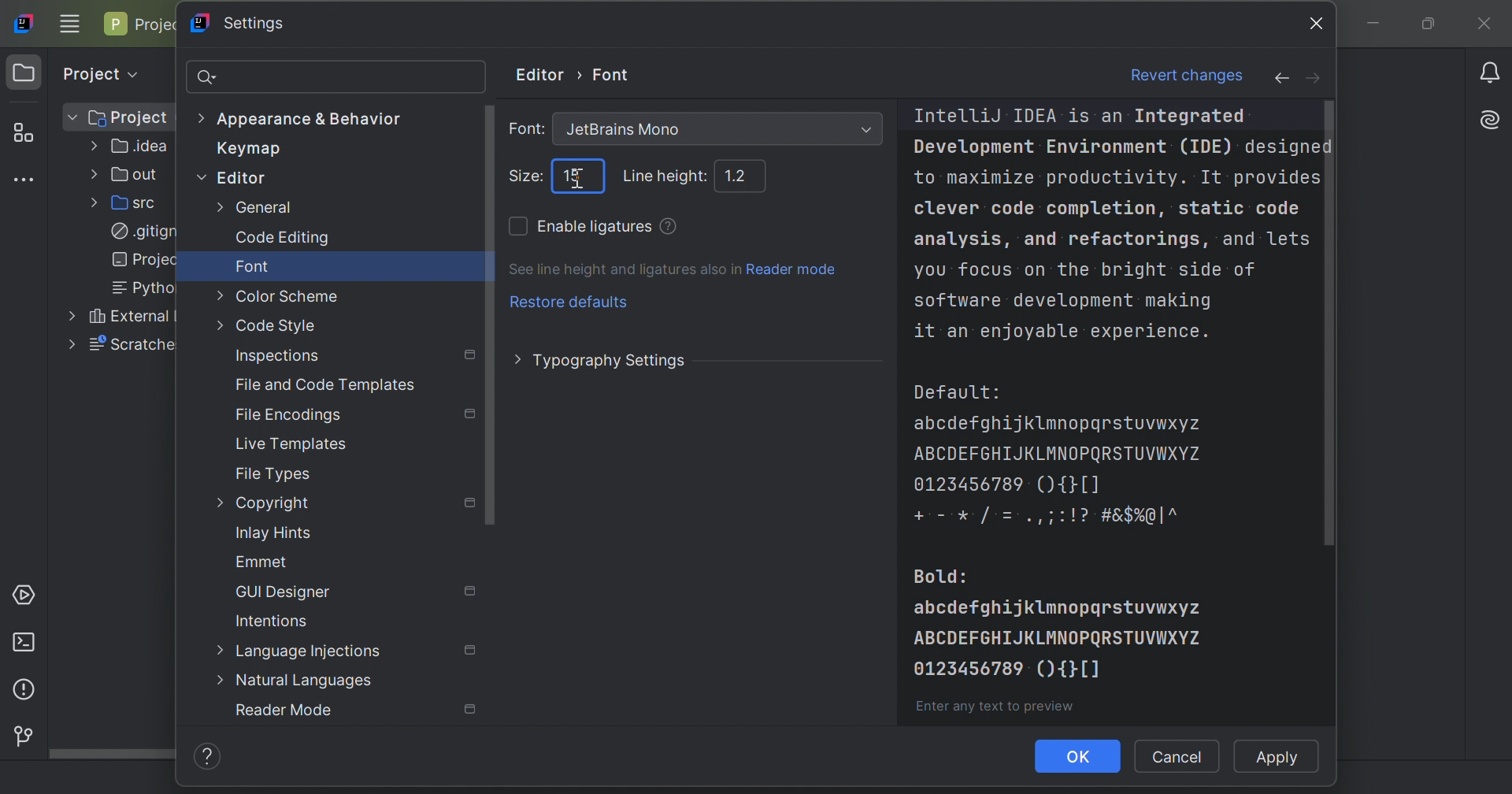 The width and height of the screenshot is (1512, 794). Describe the element at coordinates (669, 225) in the screenshot. I see `Use several characters as a single ligature. Ligatures enhance code readability. Use the section below to preview the changes.` at that location.